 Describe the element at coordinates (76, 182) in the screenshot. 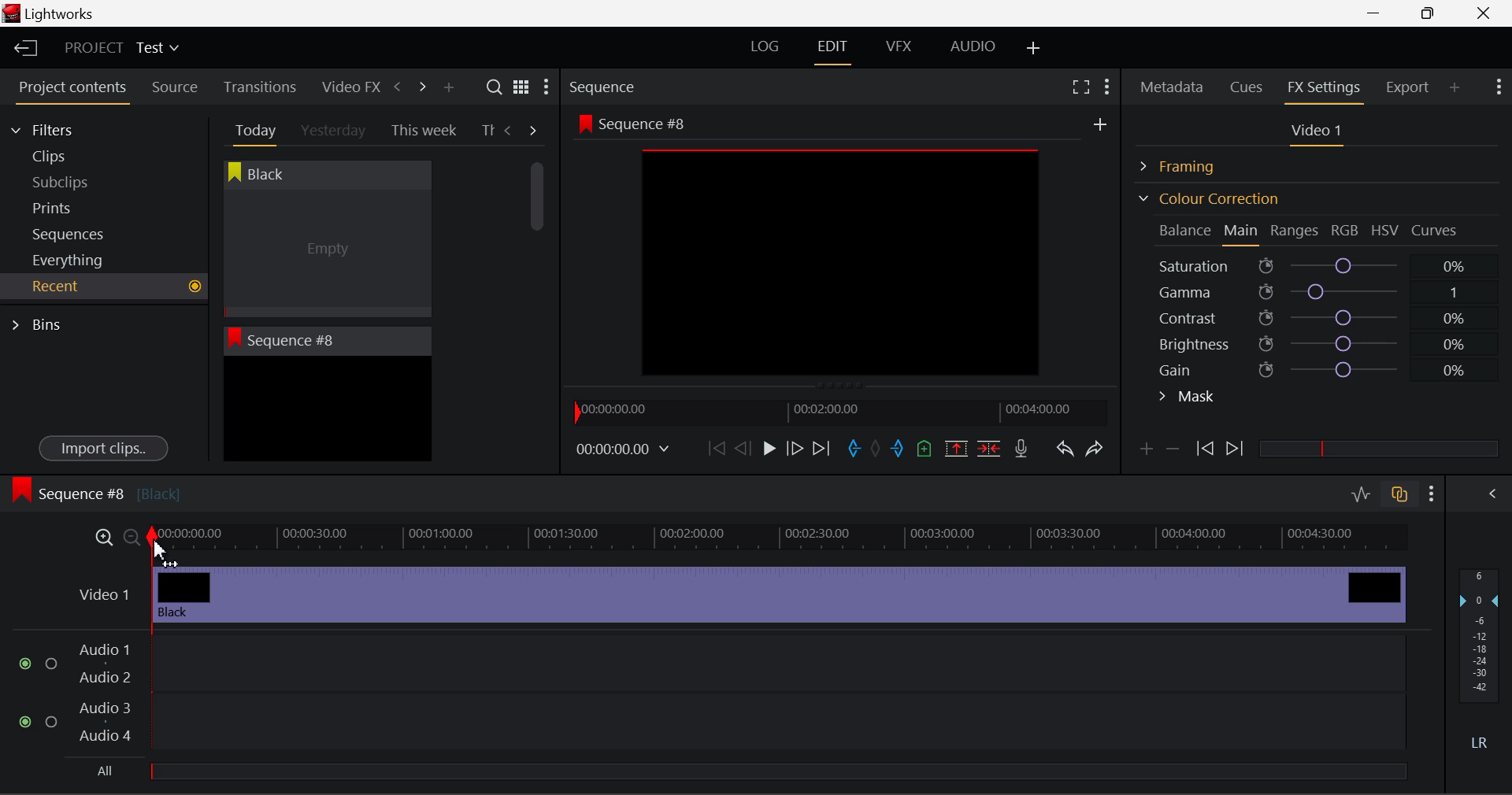

I see `Subclips` at that location.